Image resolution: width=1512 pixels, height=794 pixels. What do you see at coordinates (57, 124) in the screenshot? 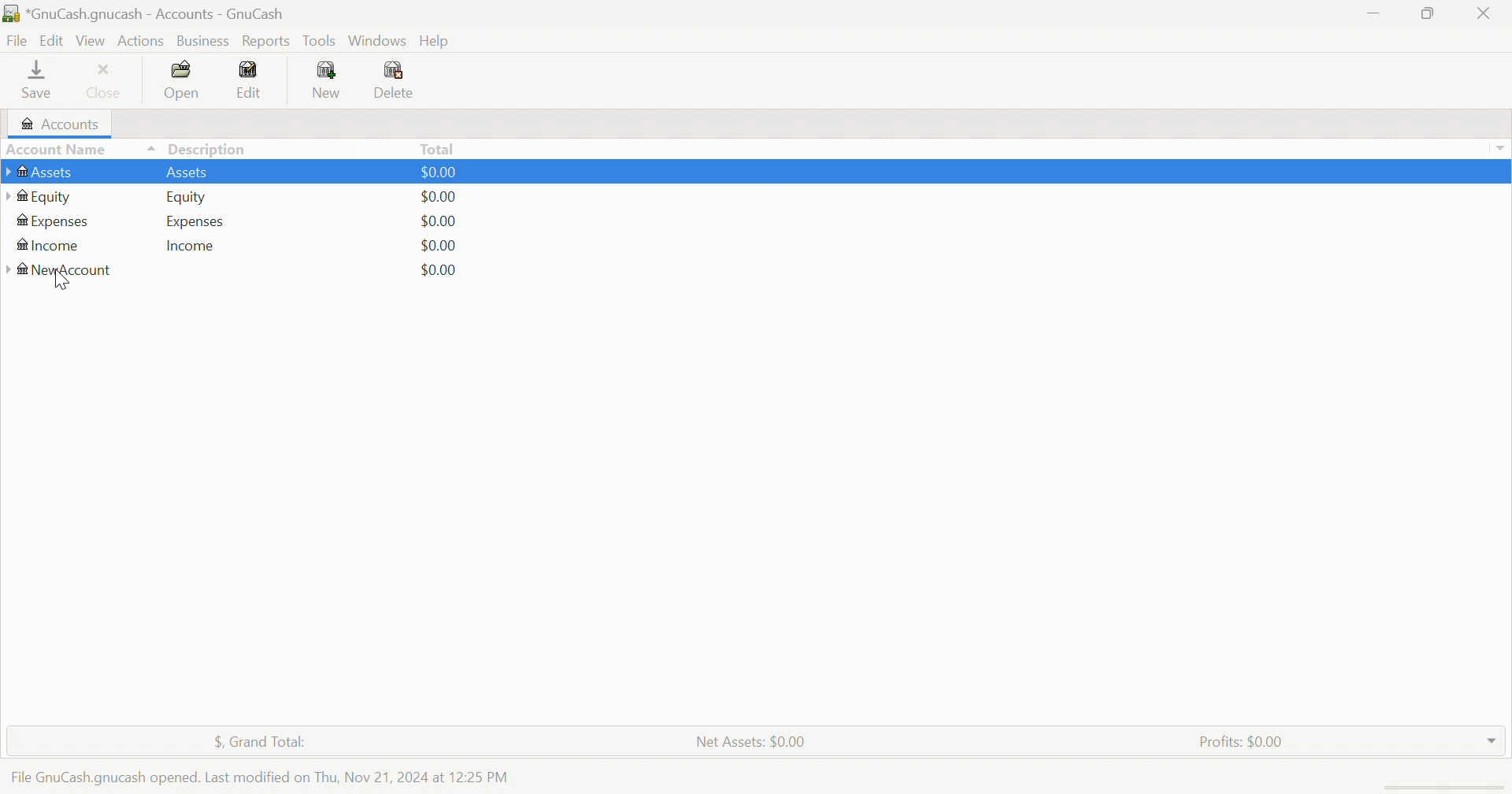
I see `Accounts` at bounding box center [57, 124].